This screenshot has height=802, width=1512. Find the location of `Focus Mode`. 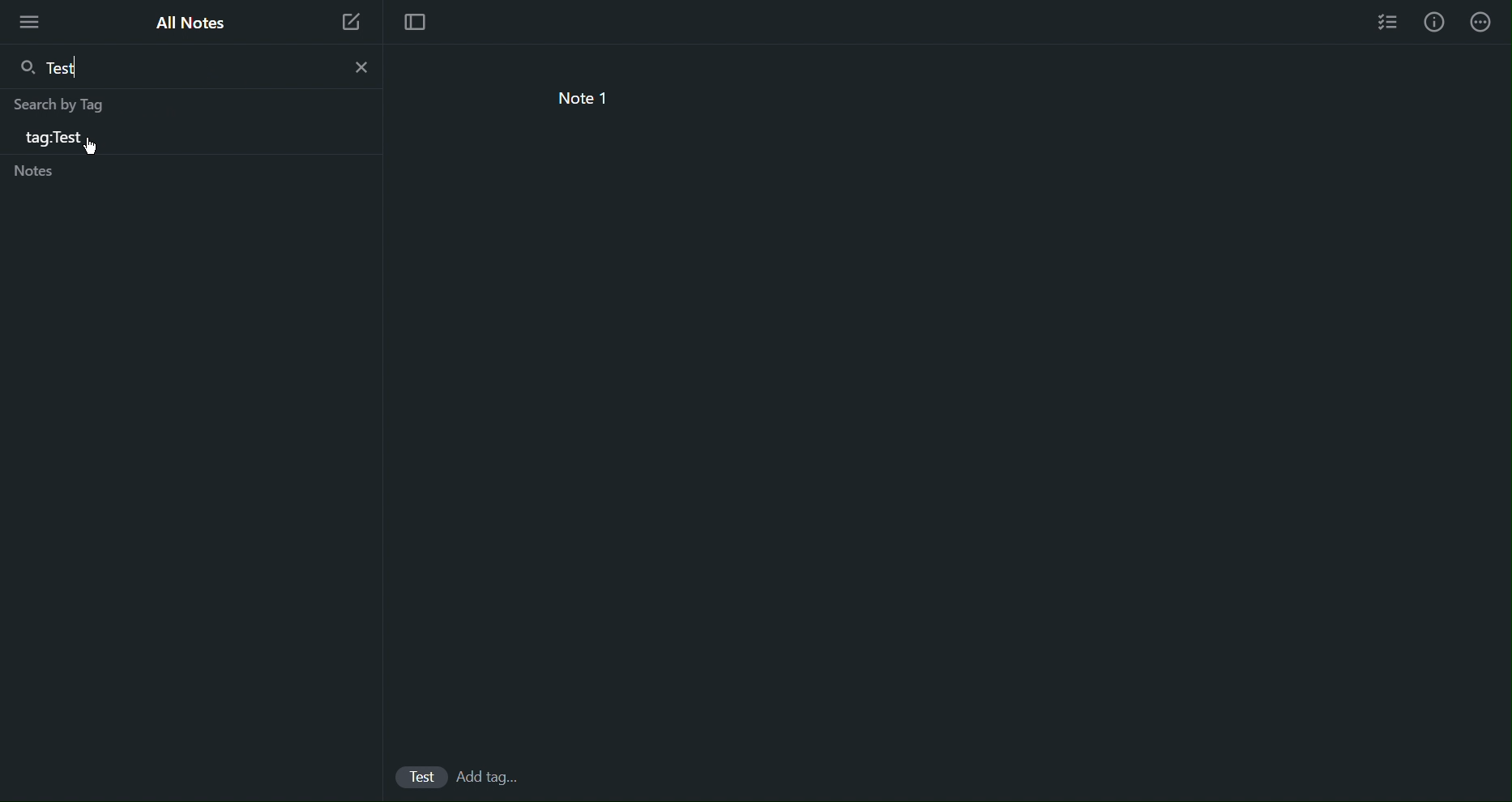

Focus Mode is located at coordinates (414, 23).